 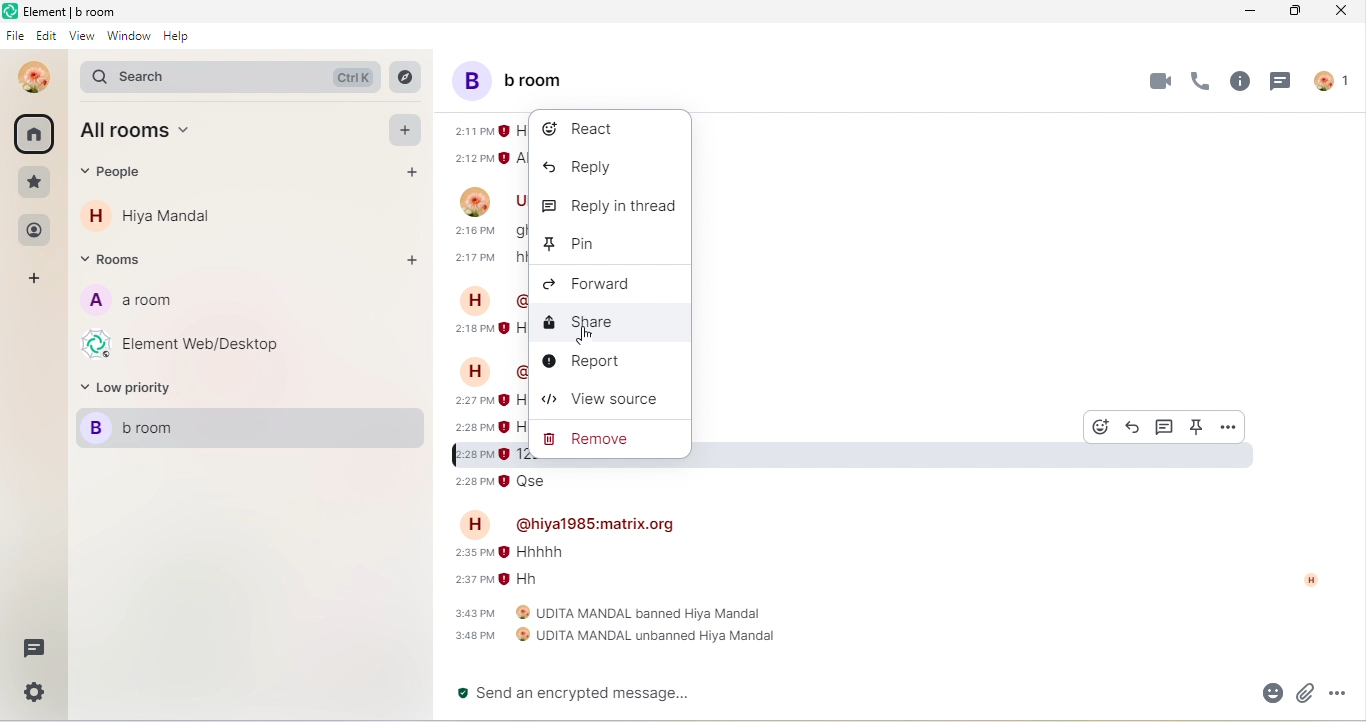 I want to click on attachment, so click(x=1306, y=694).